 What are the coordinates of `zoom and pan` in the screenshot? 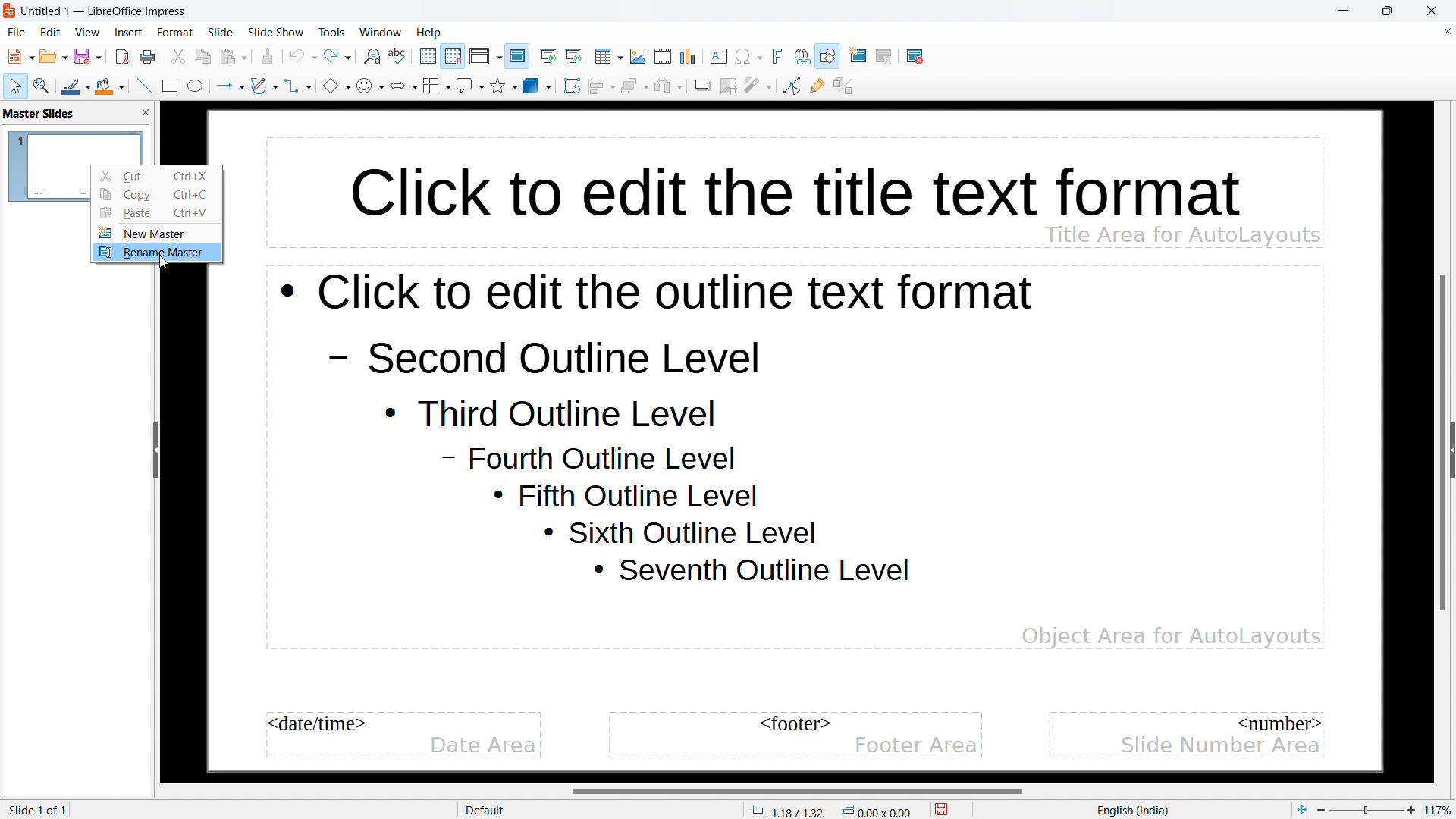 It's located at (42, 85).